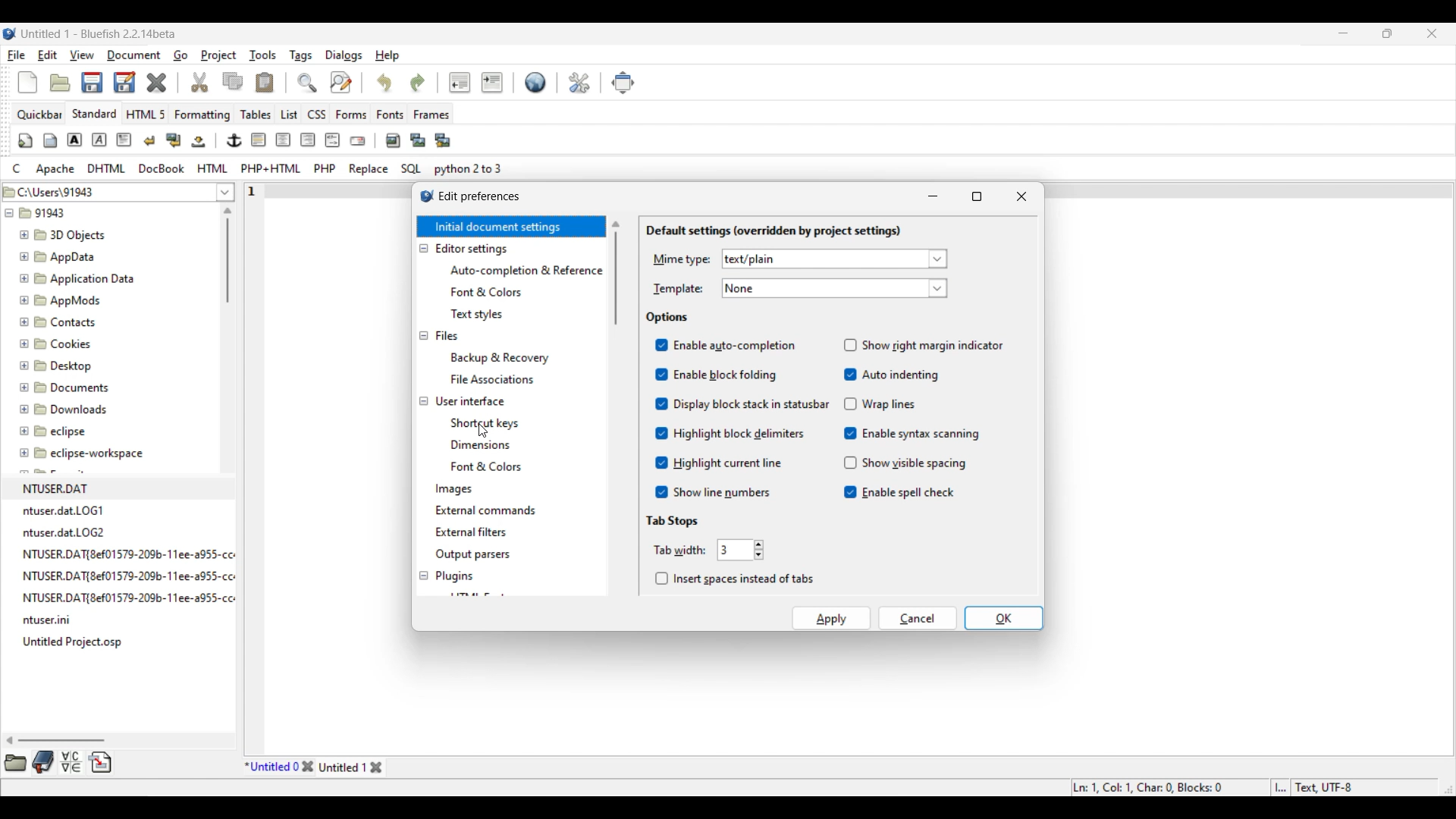 This screenshot has height=819, width=1456. Describe the element at coordinates (579, 81) in the screenshot. I see `Edit preferences, highlighted by cursor` at that location.